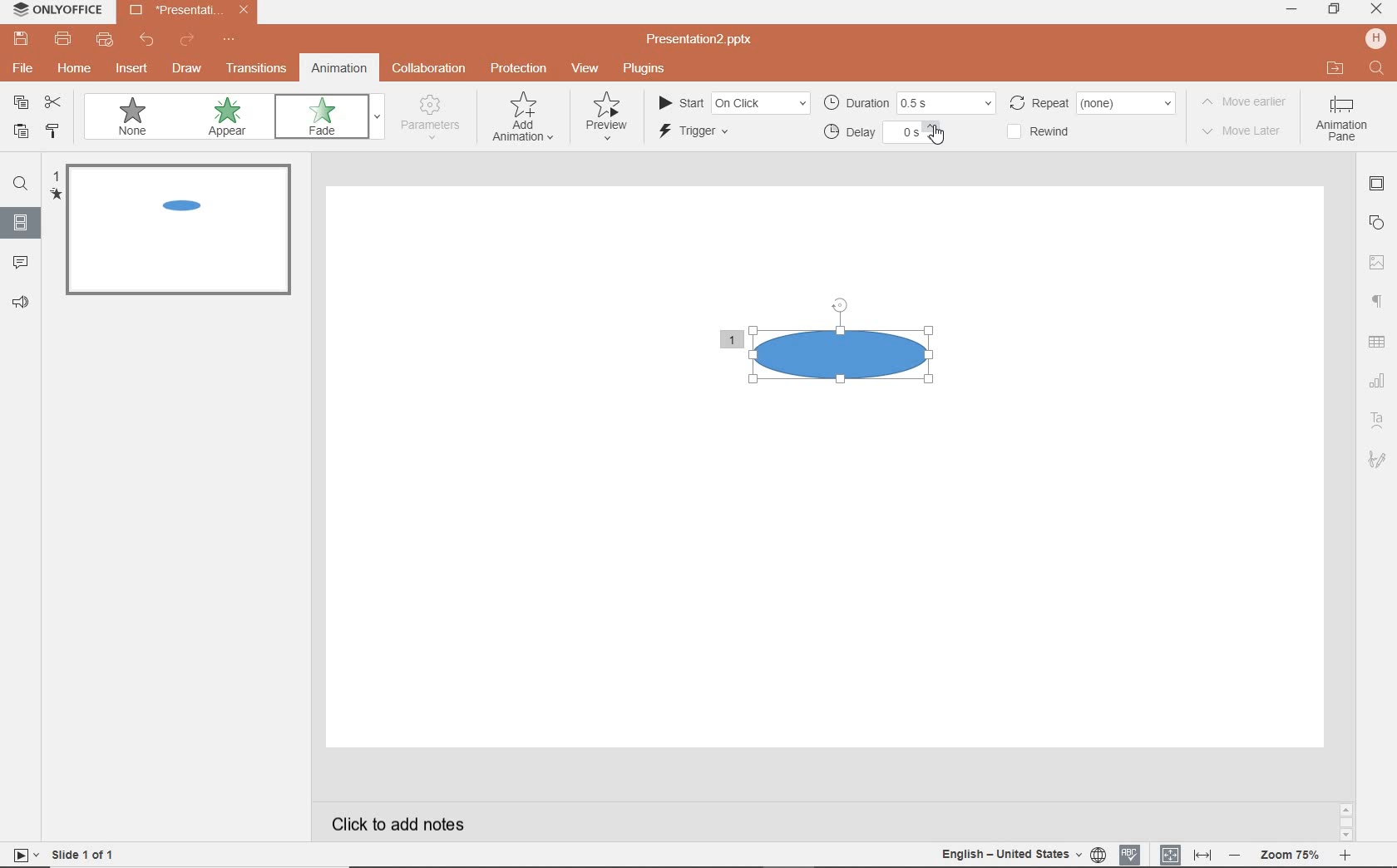 The height and width of the screenshot is (868, 1397). Describe the element at coordinates (379, 117) in the screenshot. I see `expand` at that location.